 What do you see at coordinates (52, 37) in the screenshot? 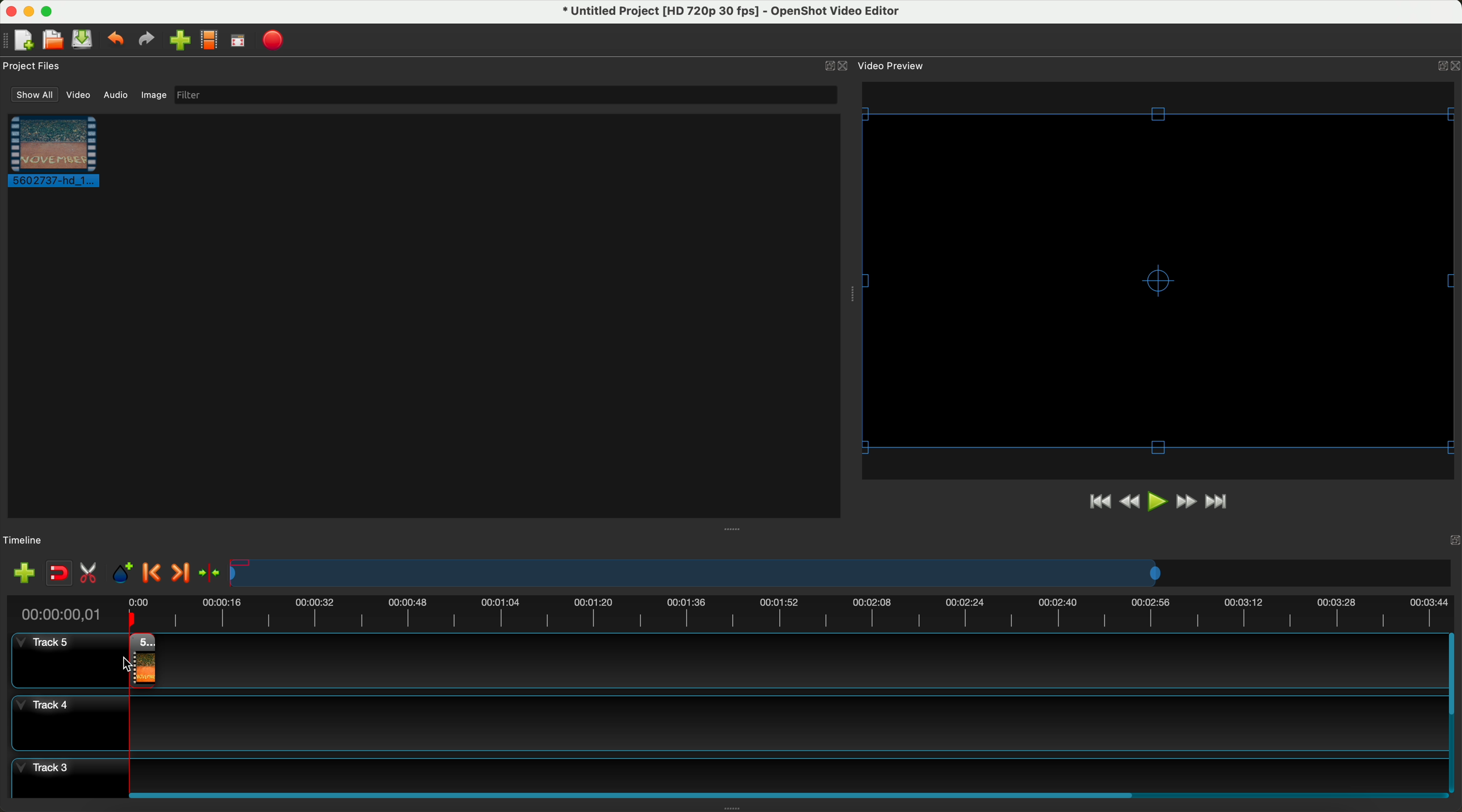
I see `open project` at bounding box center [52, 37].